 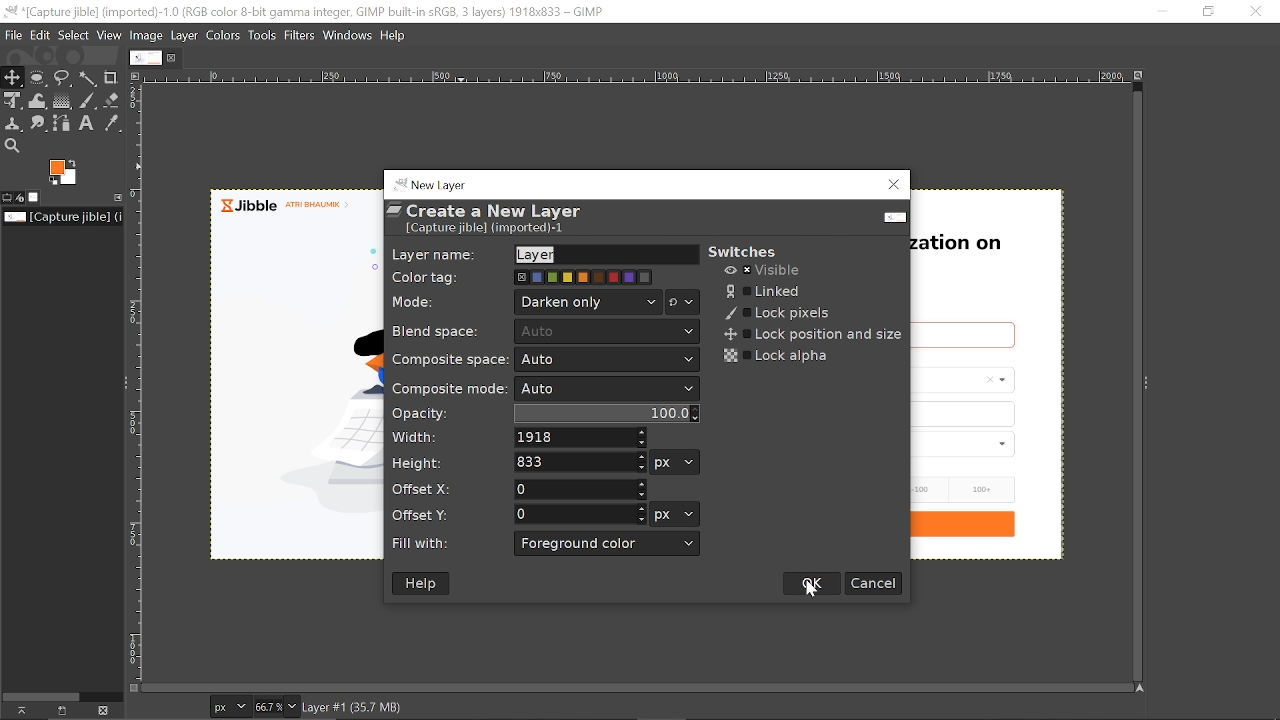 I want to click on Access this image's menu, so click(x=134, y=75).